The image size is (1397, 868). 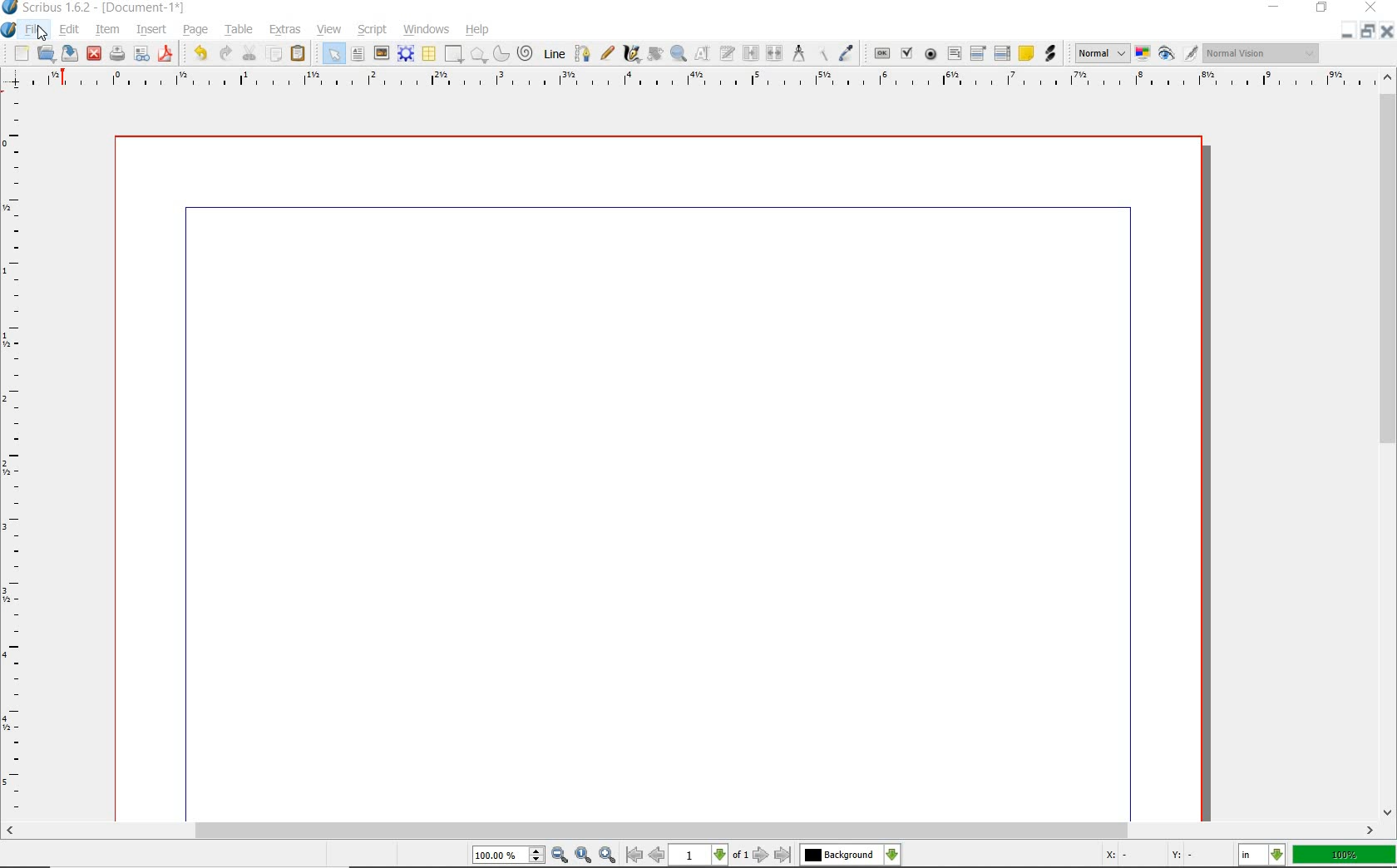 What do you see at coordinates (1345, 855) in the screenshot?
I see `zoom factor` at bounding box center [1345, 855].